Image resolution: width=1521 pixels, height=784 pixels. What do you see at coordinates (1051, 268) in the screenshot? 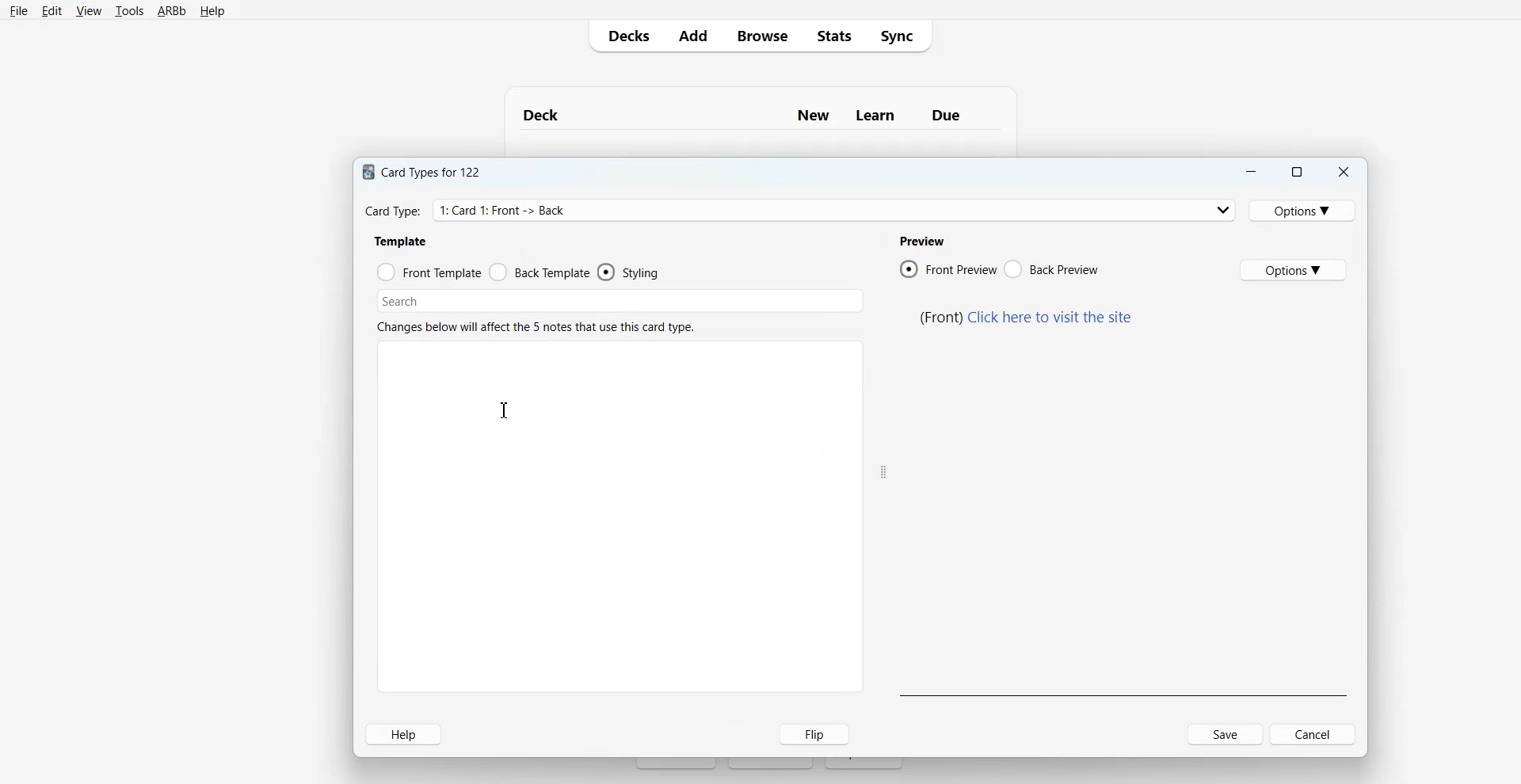
I see `Back Preview` at bounding box center [1051, 268].